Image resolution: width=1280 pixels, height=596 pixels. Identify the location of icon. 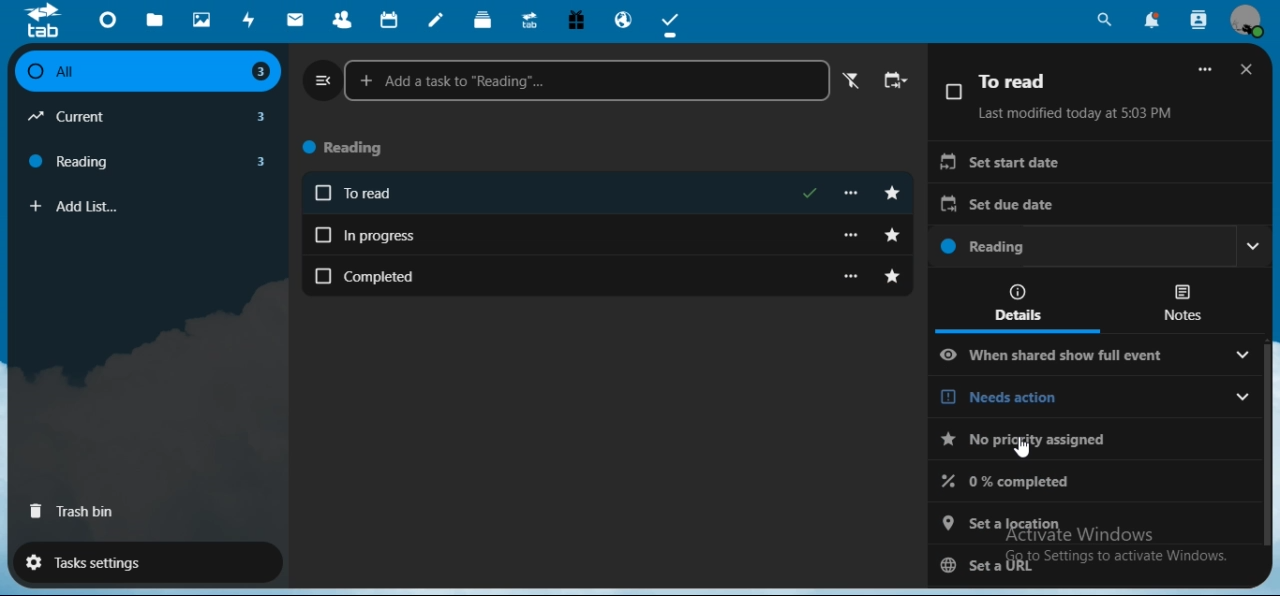
(49, 21).